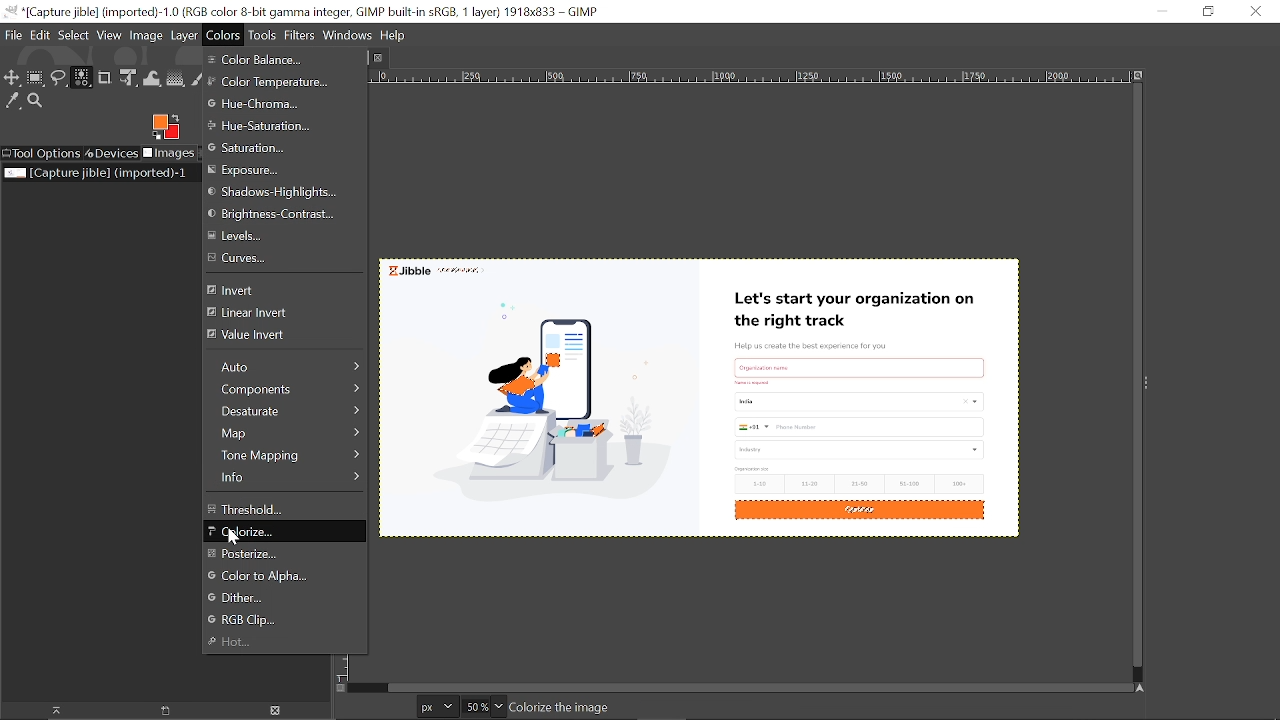 The height and width of the screenshot is (720, 1280). I want to click on Color balance, so click(266, 60).